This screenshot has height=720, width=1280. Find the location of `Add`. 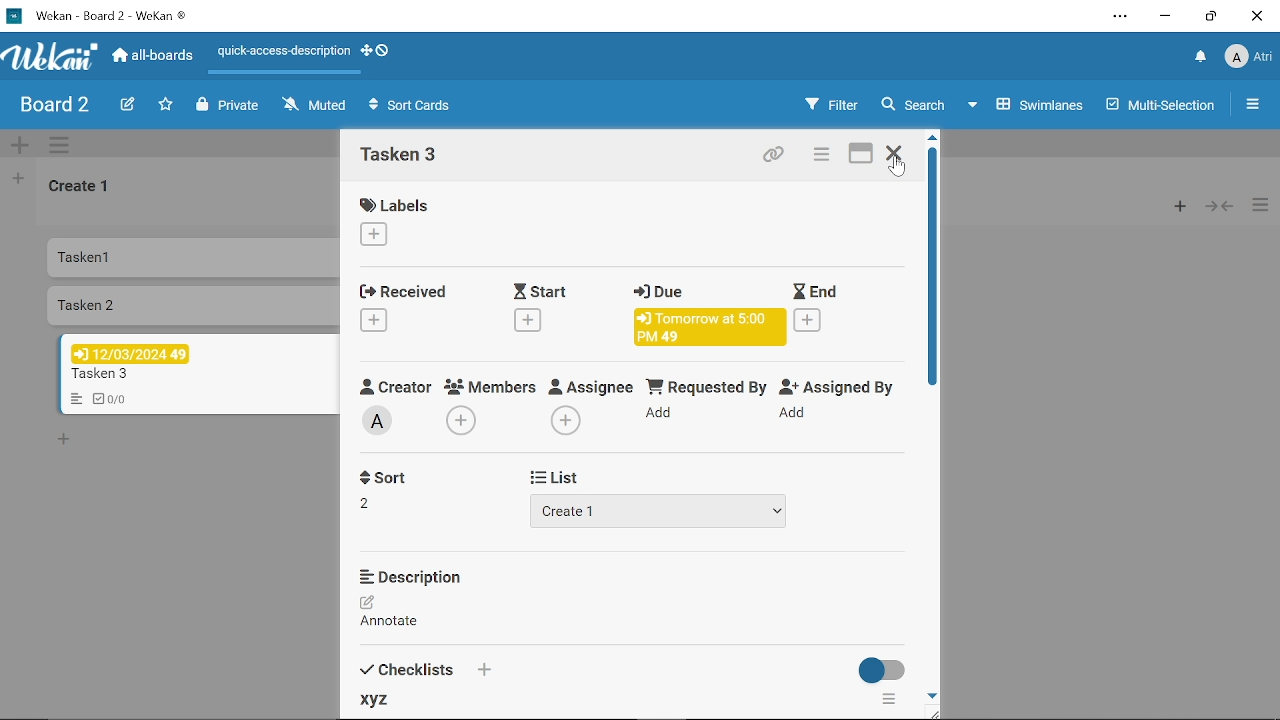

Add is located at coordinates (568, 421).